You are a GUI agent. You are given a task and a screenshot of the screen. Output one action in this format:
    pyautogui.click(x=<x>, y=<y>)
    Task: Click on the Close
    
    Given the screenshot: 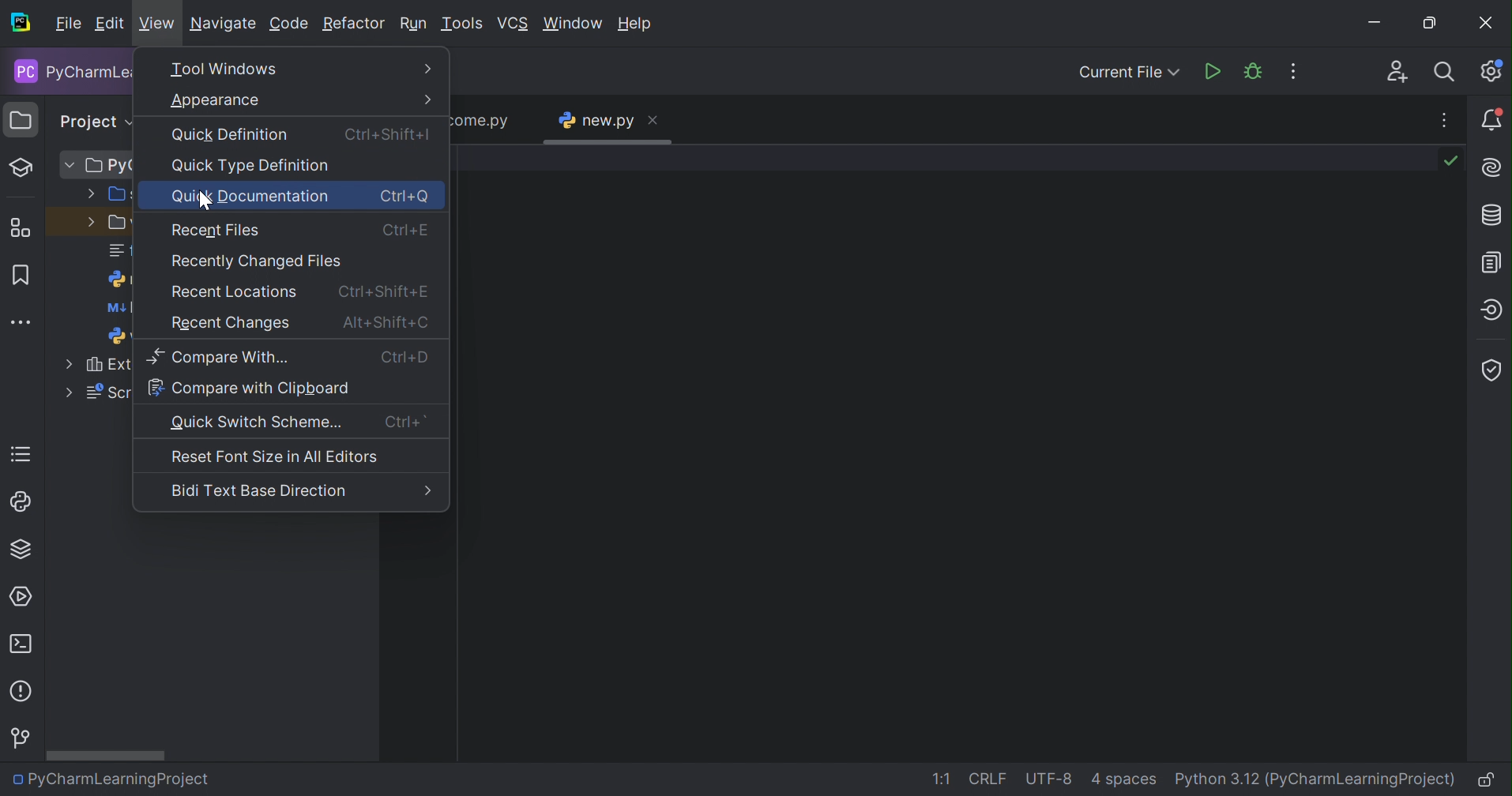 What is the action you would take?
    pyautogui.click(x=1488, y=24)
    